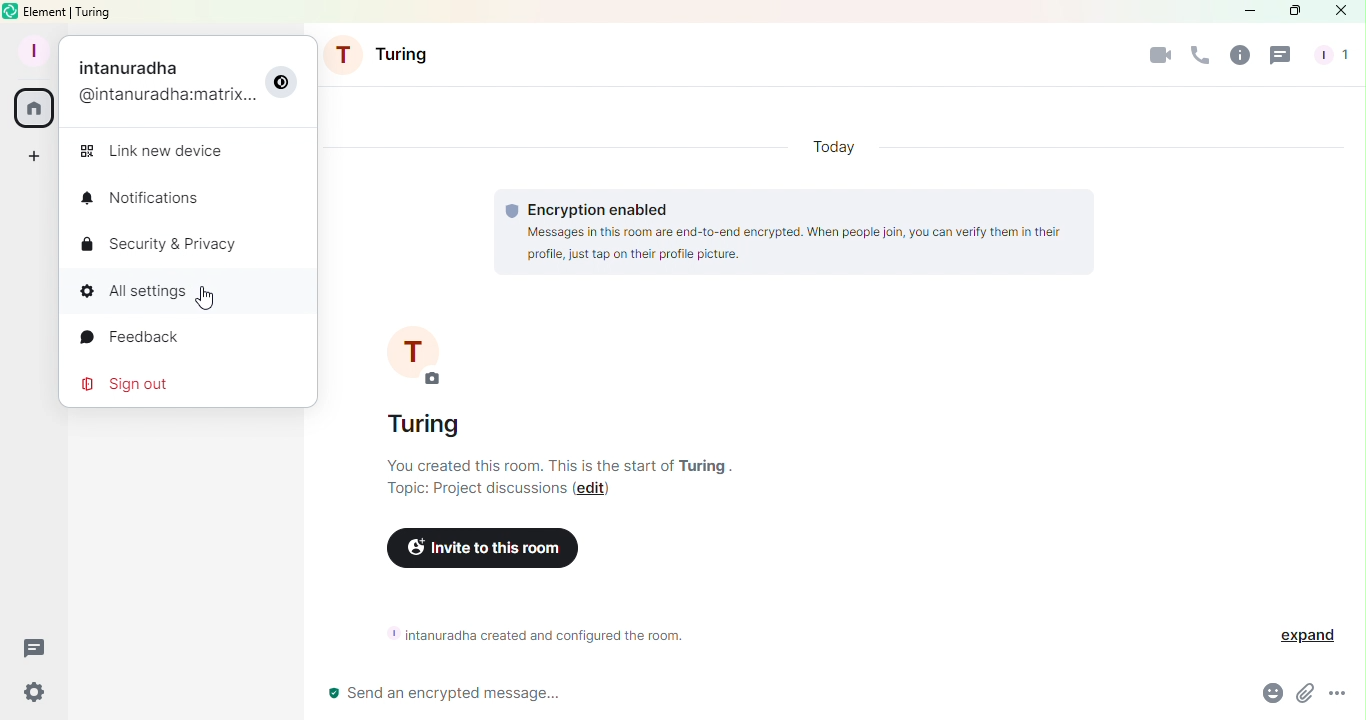  Describe the element at coordinates (709, 465) in the screenshot. I see `turing` at that location.